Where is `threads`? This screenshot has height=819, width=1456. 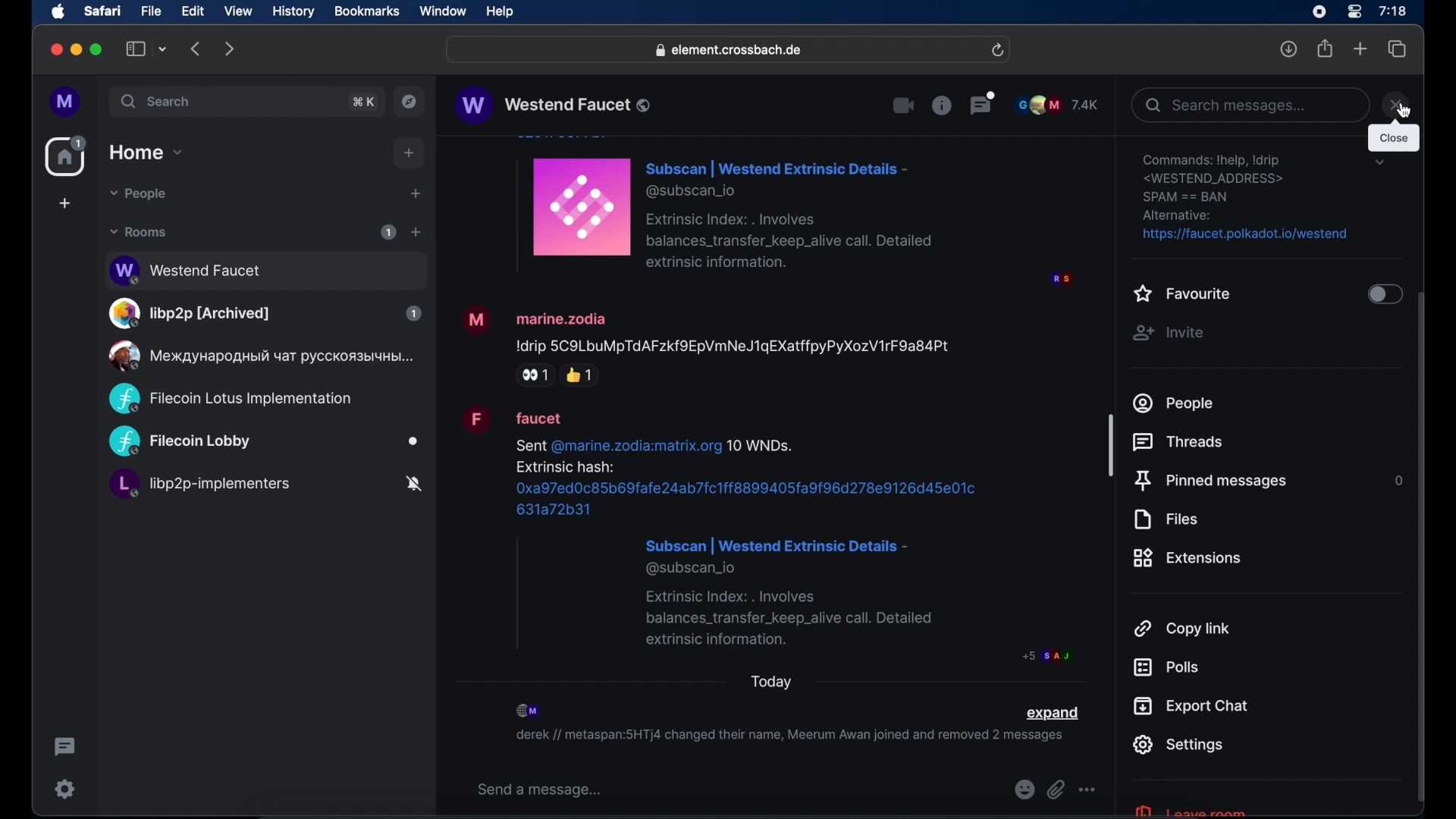 threads is located at coordinates (983, 102).